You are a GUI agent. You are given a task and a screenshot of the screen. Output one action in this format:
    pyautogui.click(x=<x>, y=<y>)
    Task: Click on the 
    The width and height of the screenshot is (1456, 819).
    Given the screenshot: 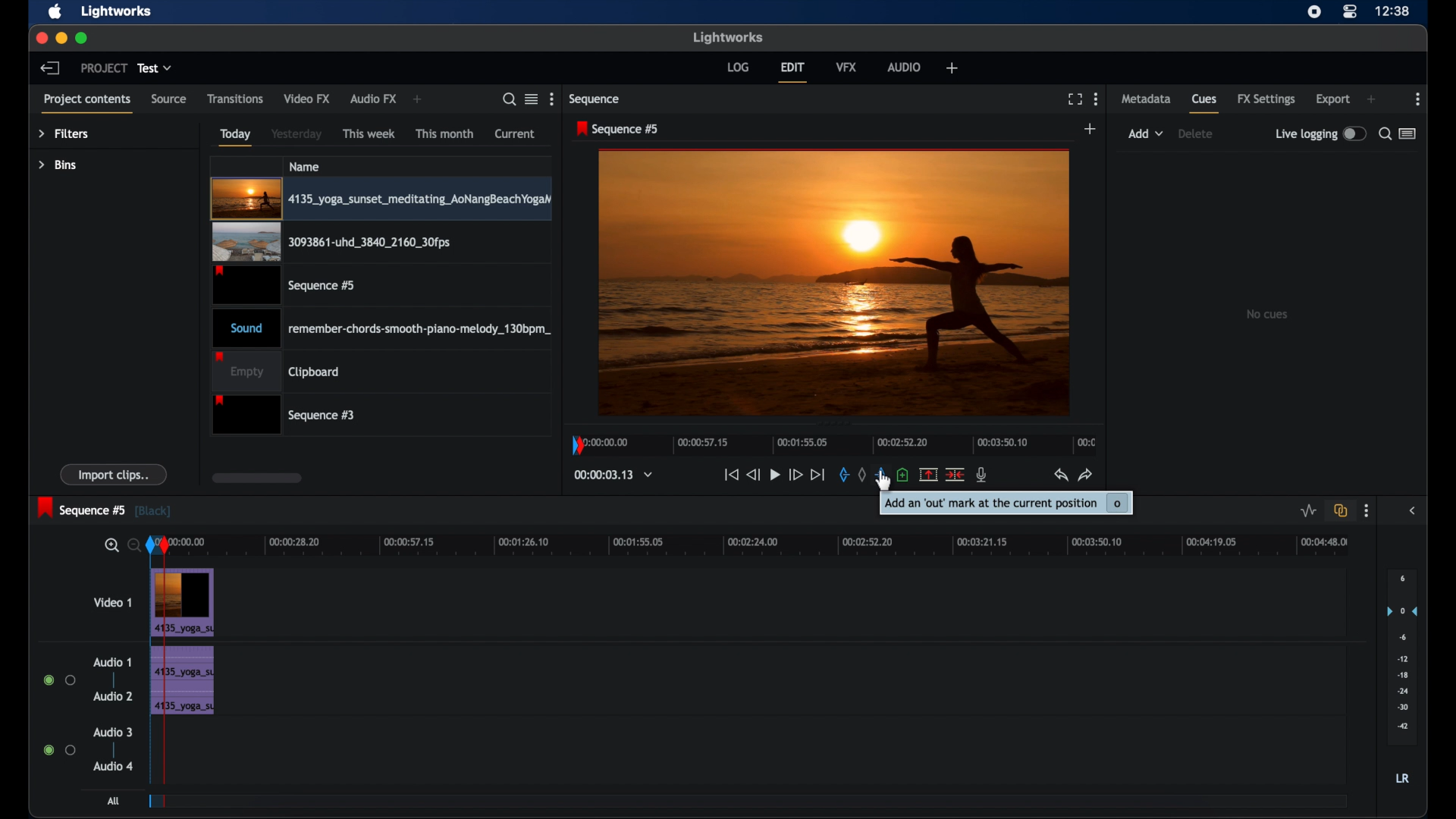 What is the action you would take?
    pyautogui.click(x=928, y=473)
    